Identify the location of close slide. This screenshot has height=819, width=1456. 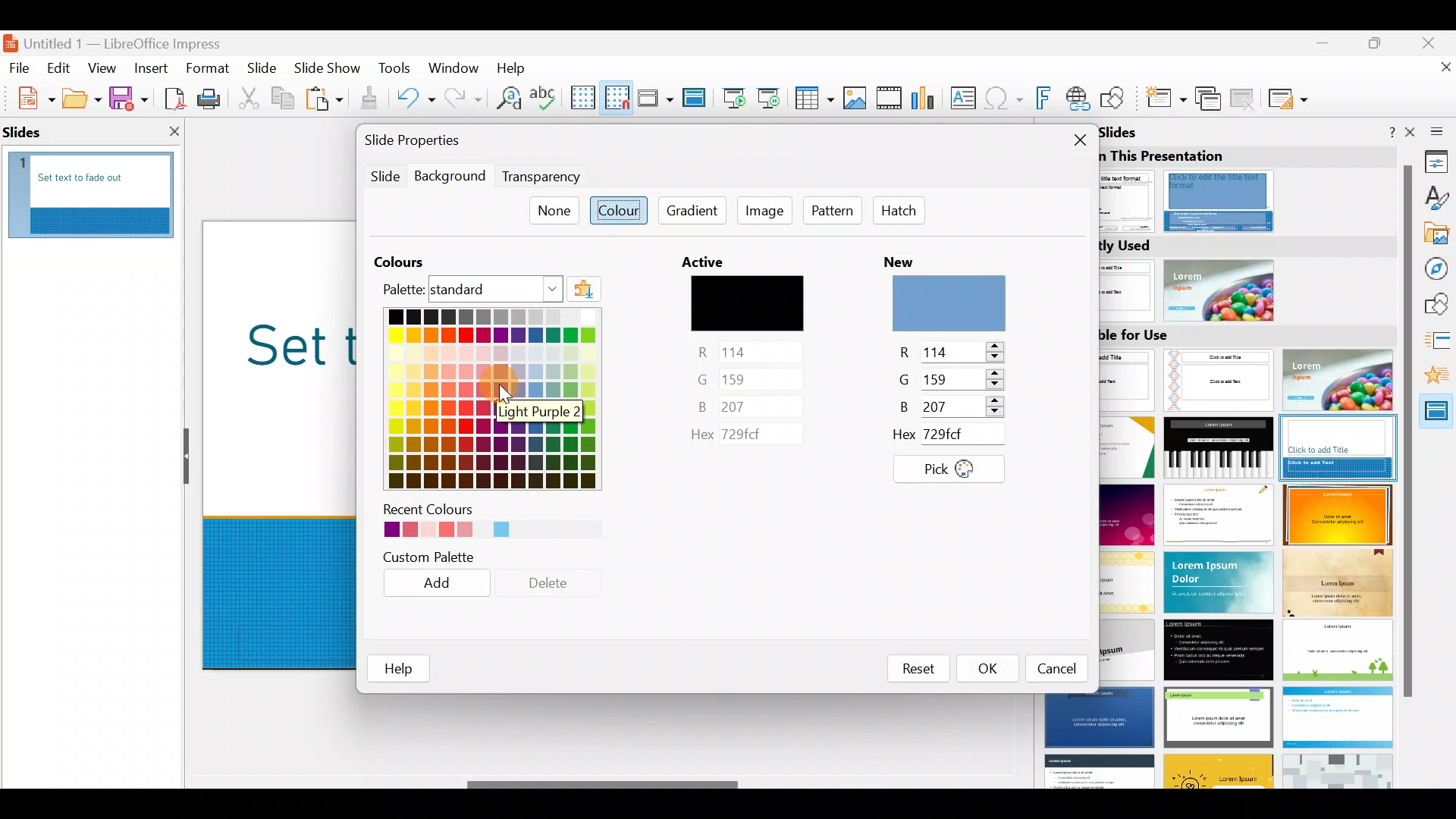
(174, 130).